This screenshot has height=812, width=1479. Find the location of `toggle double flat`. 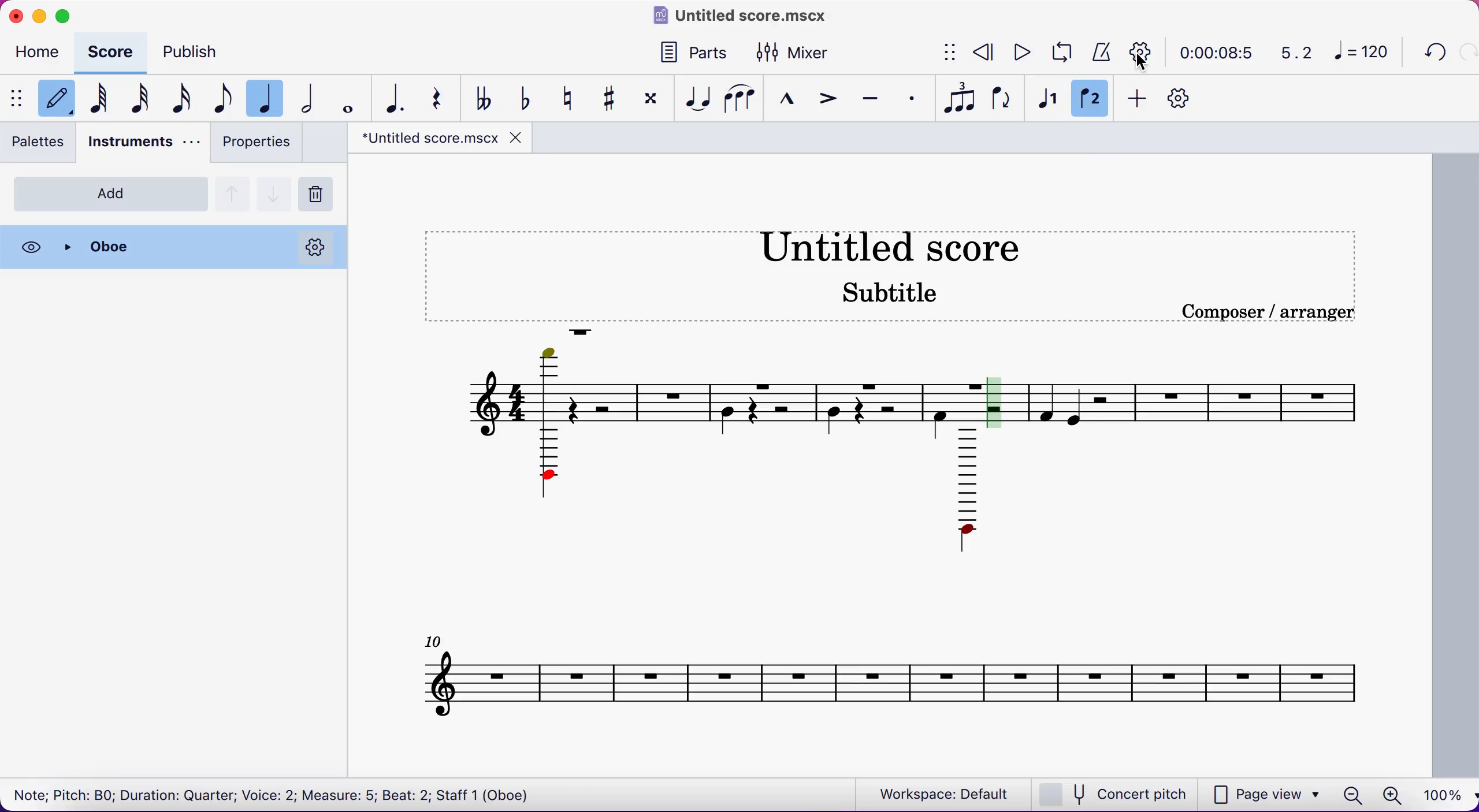

toggle double flat is located at coordinates (484, 98).